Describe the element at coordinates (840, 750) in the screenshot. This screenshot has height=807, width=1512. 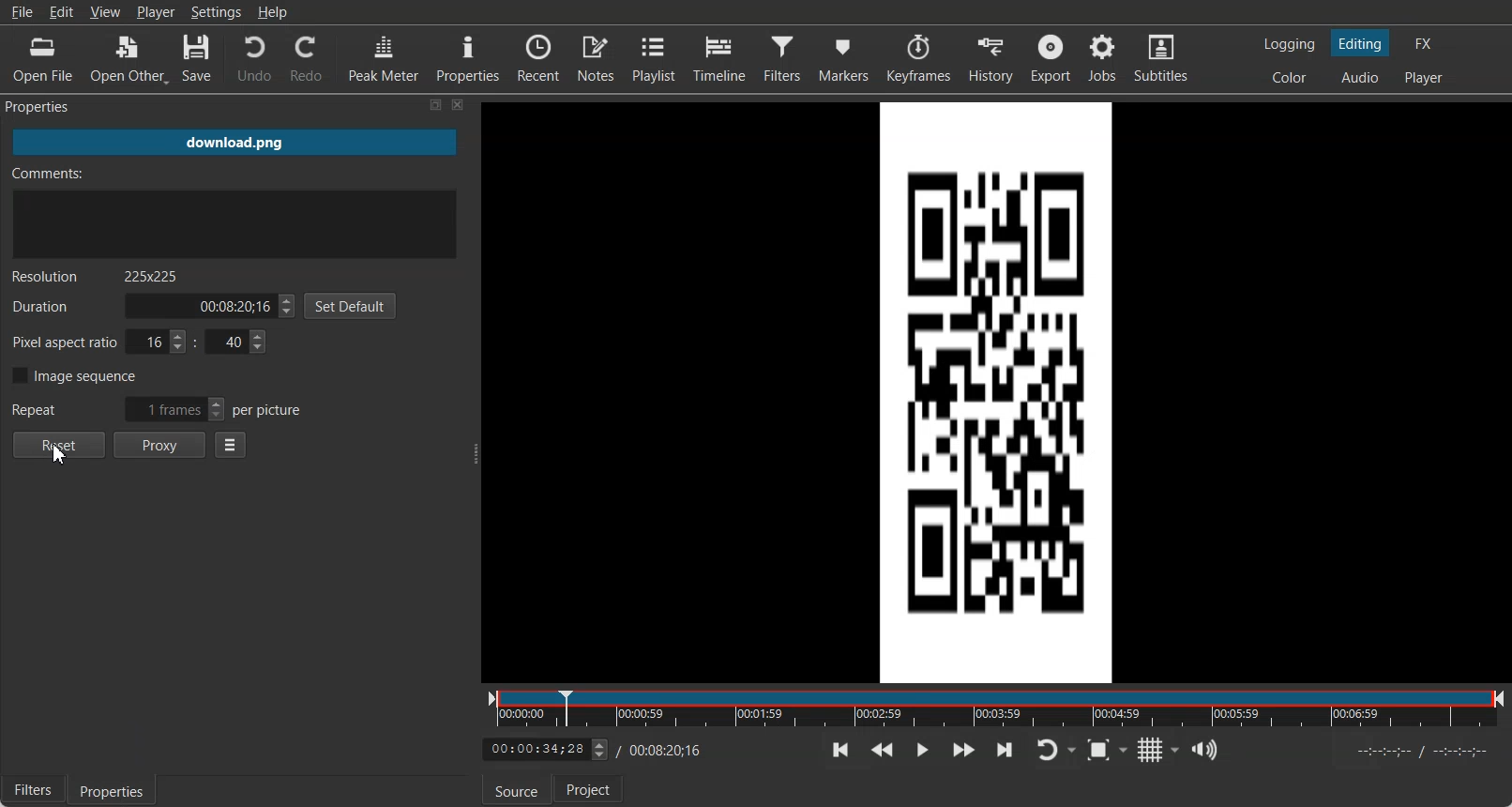
I see `Skip to the previous point` at that location.